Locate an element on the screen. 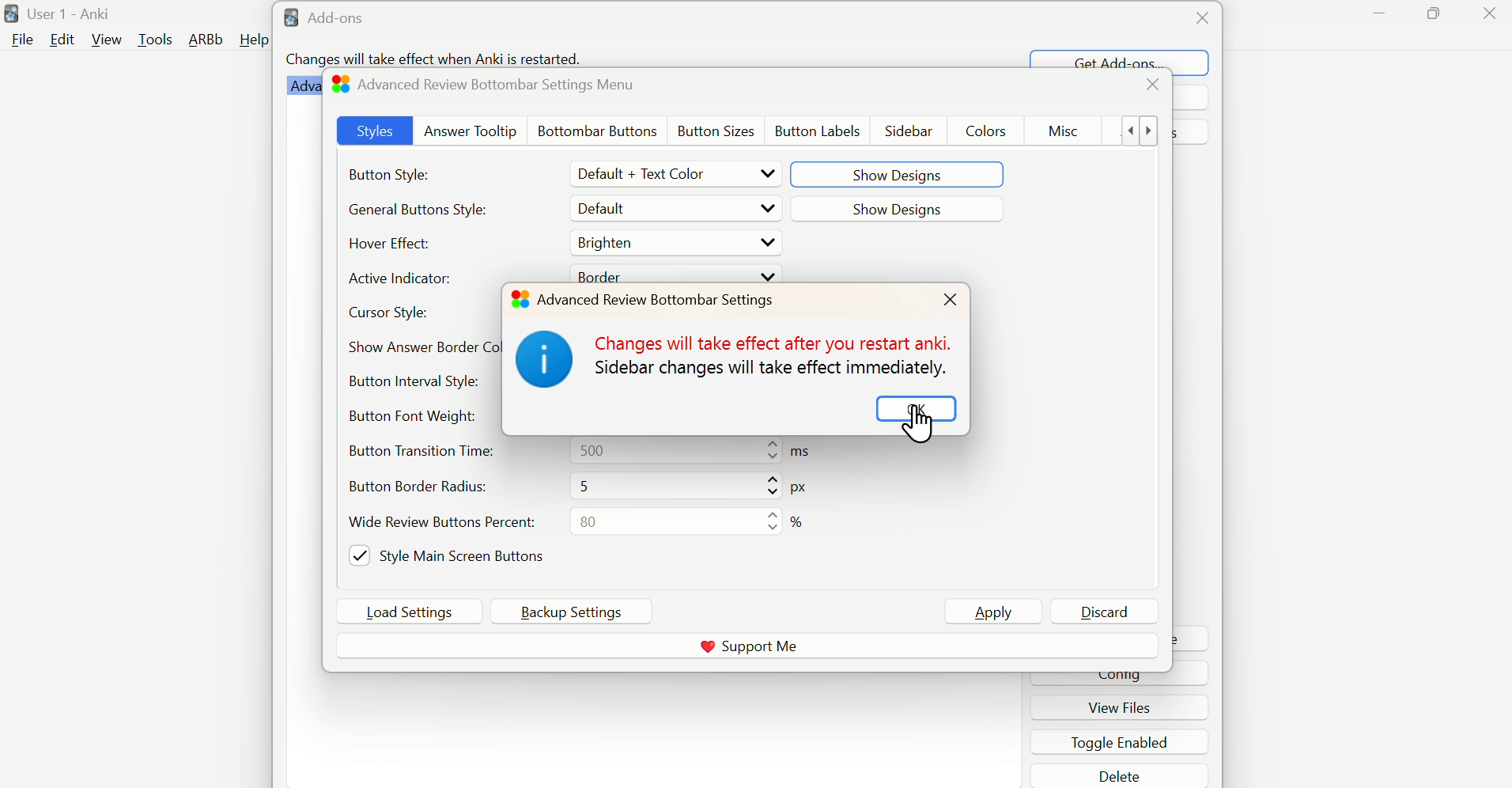  Button Transition Time is located at coordinates (429, 451).